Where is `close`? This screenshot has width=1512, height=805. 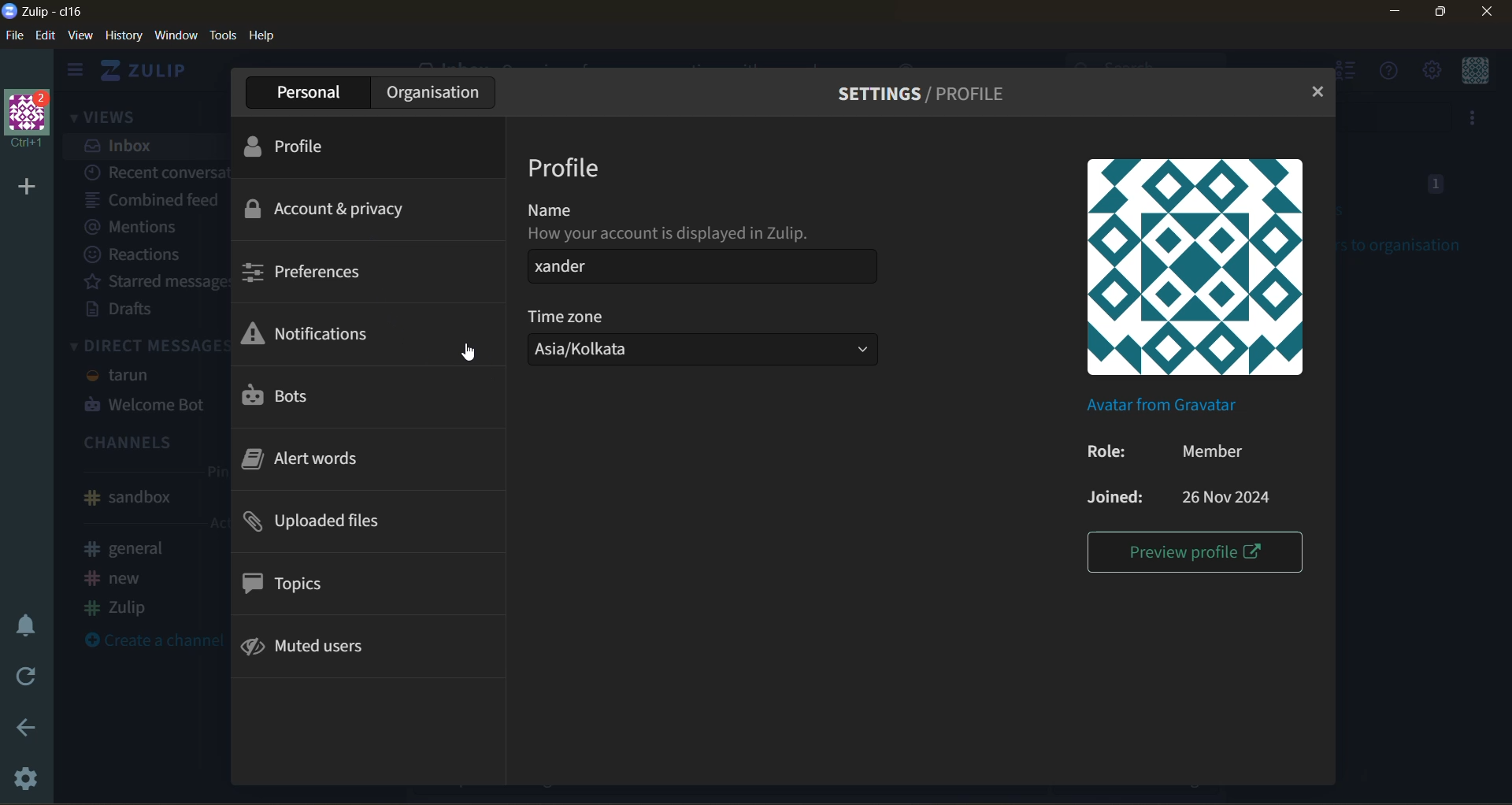
close is located at coordinates (1484, 13).